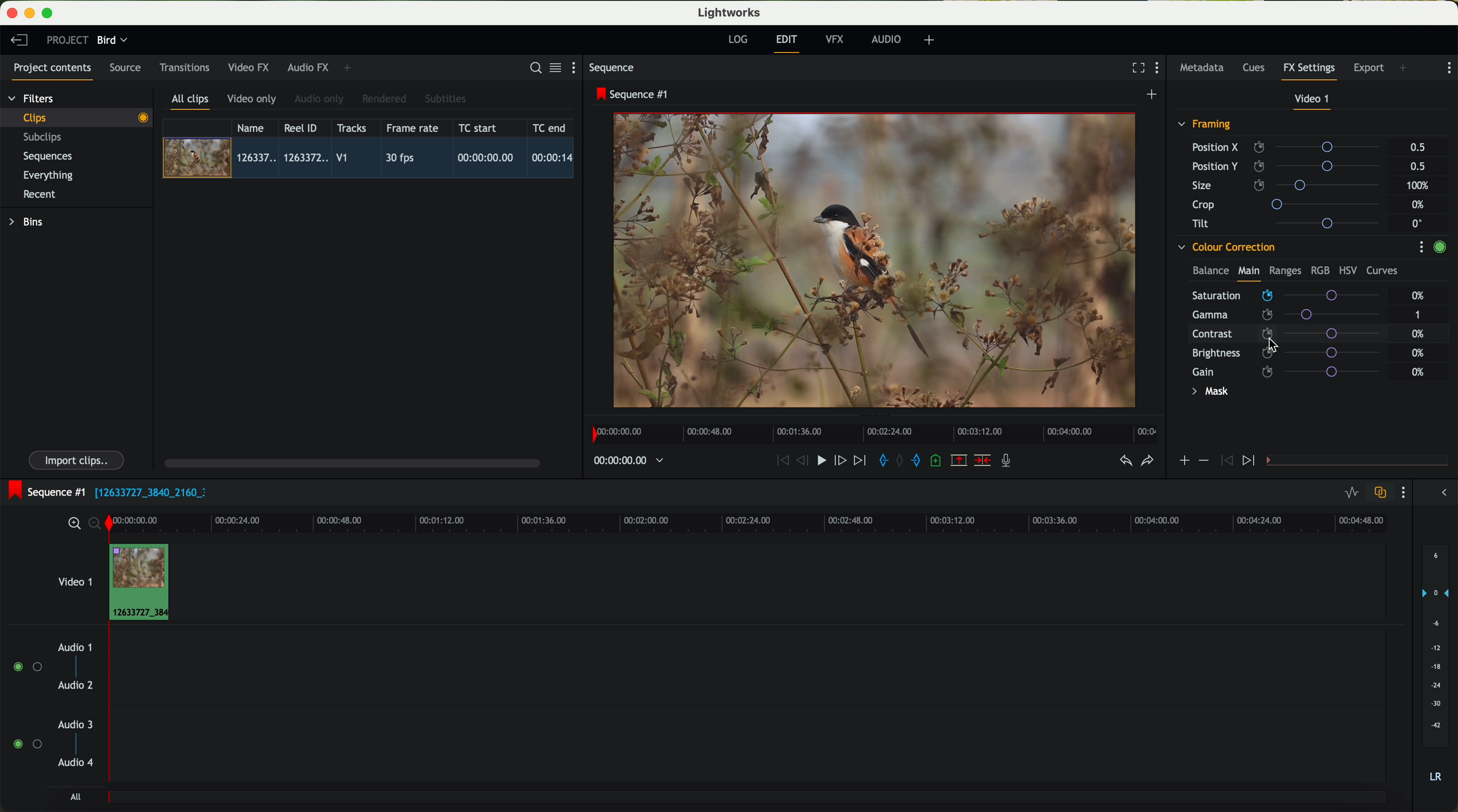 This screenshot has width=1458, height=812. I want to click on HSV, so click(1347, 270).